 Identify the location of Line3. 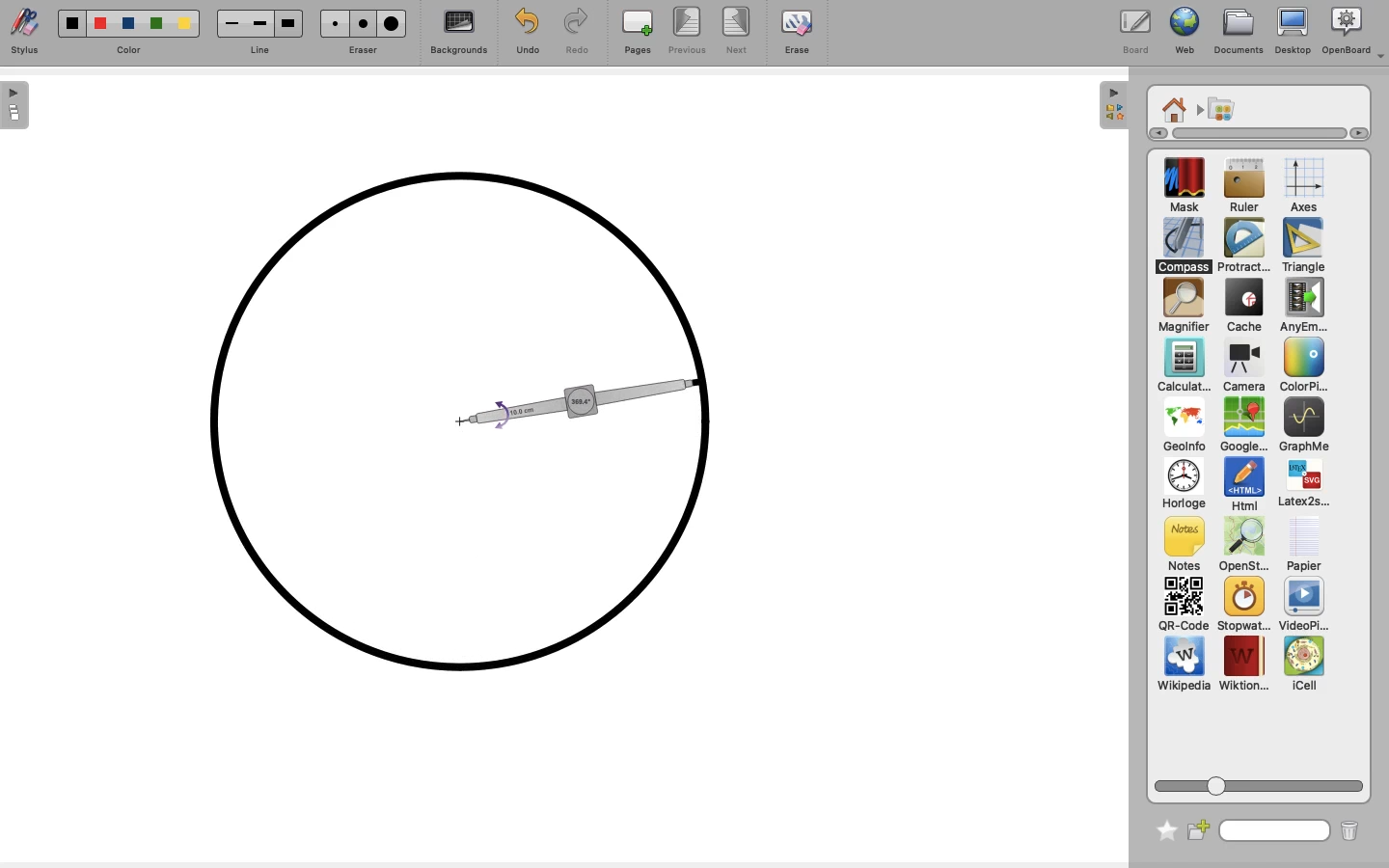
(286, 23).